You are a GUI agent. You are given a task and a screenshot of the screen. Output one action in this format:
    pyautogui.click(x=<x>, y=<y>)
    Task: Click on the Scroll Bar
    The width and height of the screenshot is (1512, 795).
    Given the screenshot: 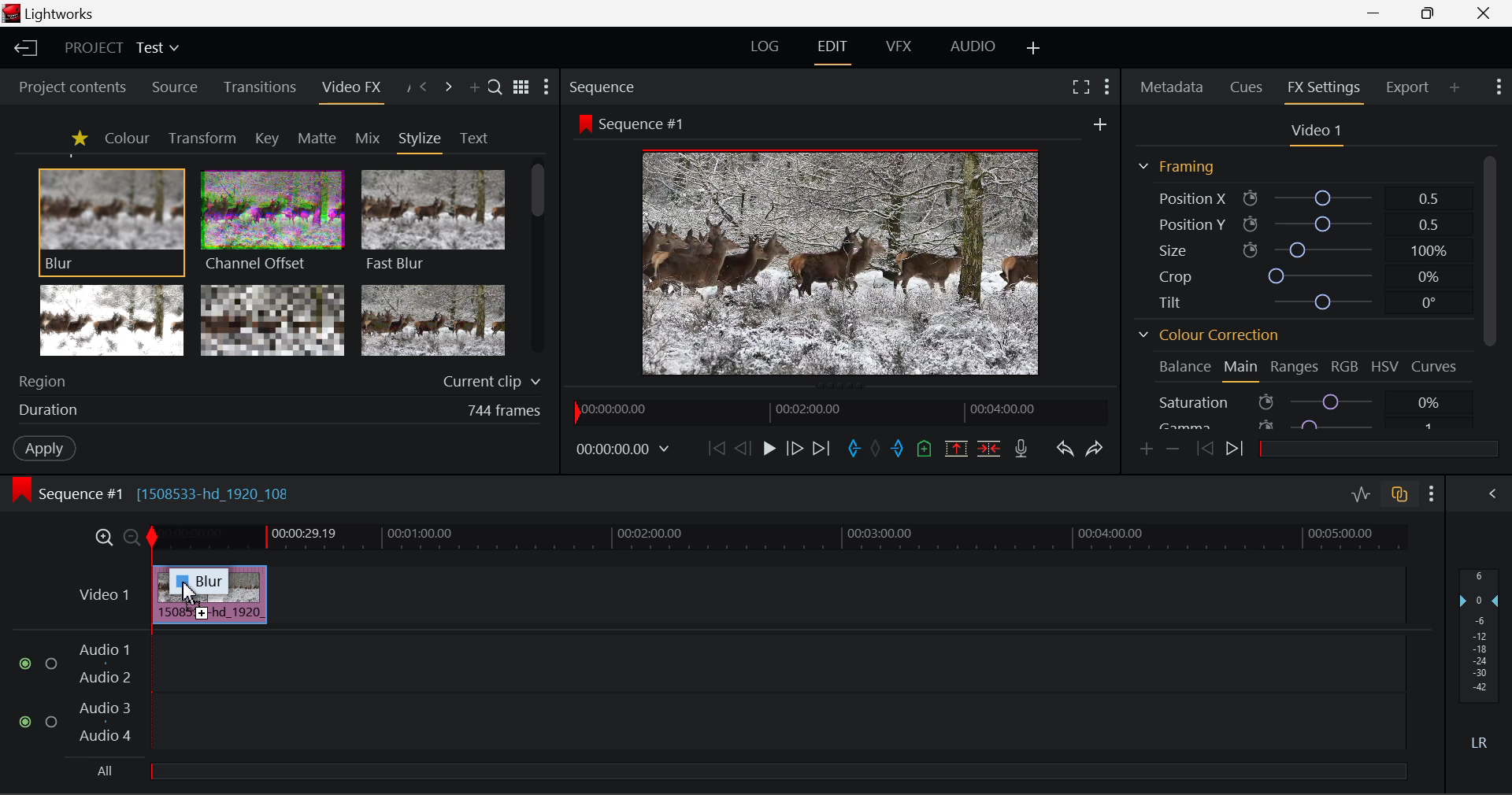 What is the action you would take?
    pyautogui.click(x=540, y=262)
    